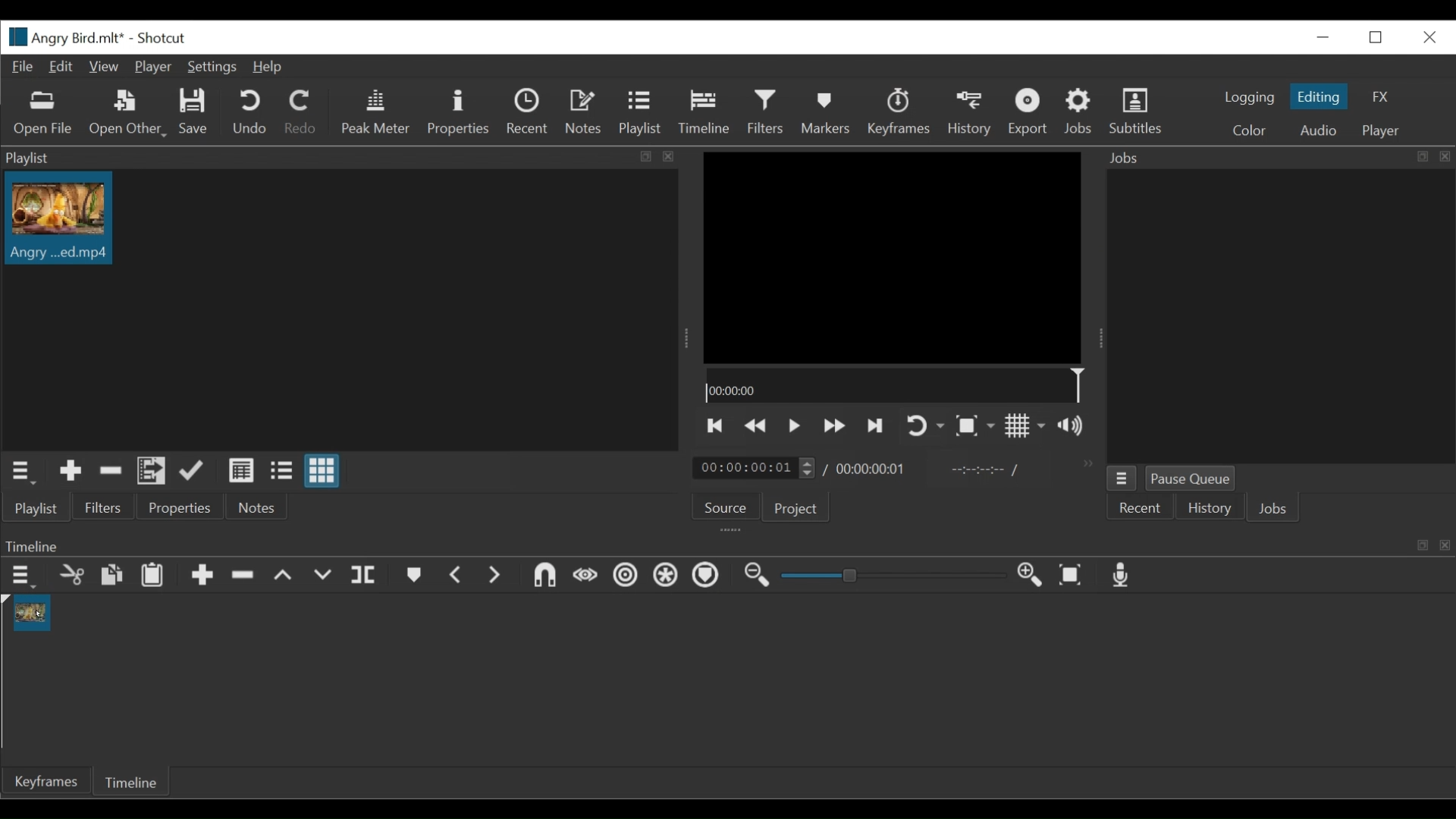  I want to click on Update, so click(194, 472).